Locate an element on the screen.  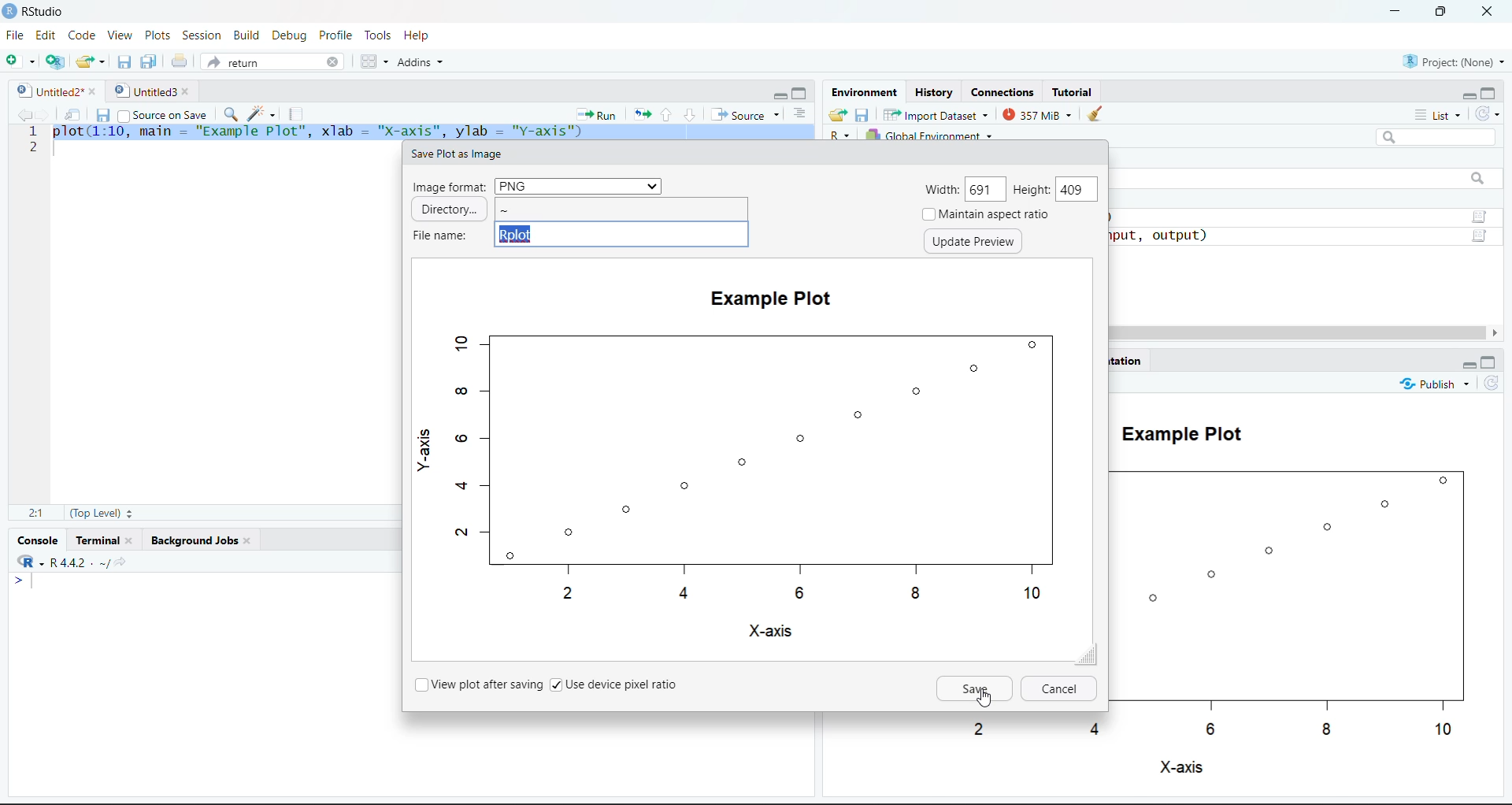
Refresh file listing is located at coordinates (1491, 384).